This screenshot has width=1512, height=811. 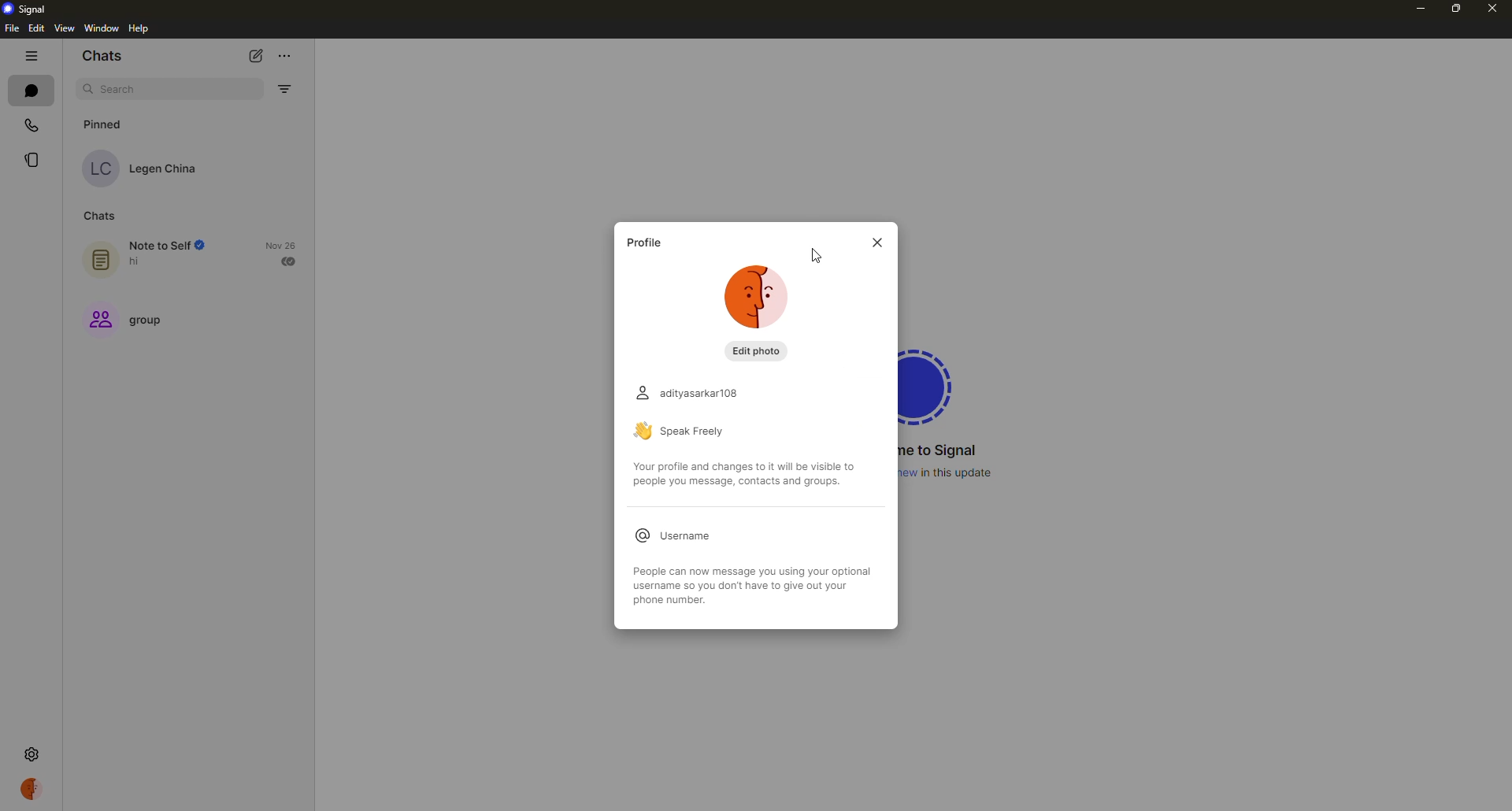 What do you see at coordinates (29, 8) in the screenshot?
I see `signal` at bounding box center [29, 8].